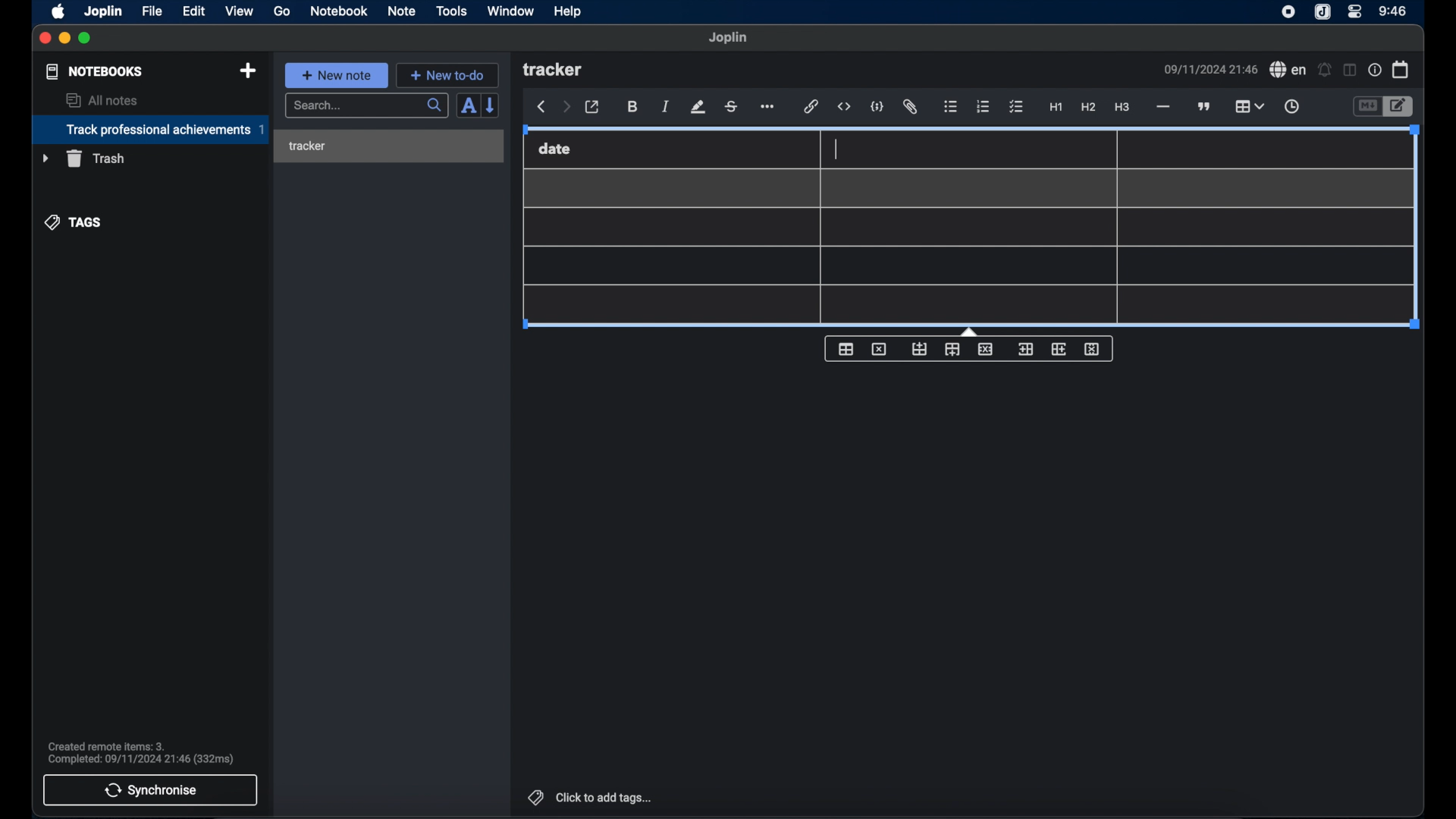 Image resolution: width=1456 pixels, height=819 pixels. What do you see at coordinates (769, 107) in the screenshot?
I see `more options` at bounding box center [769, 107].